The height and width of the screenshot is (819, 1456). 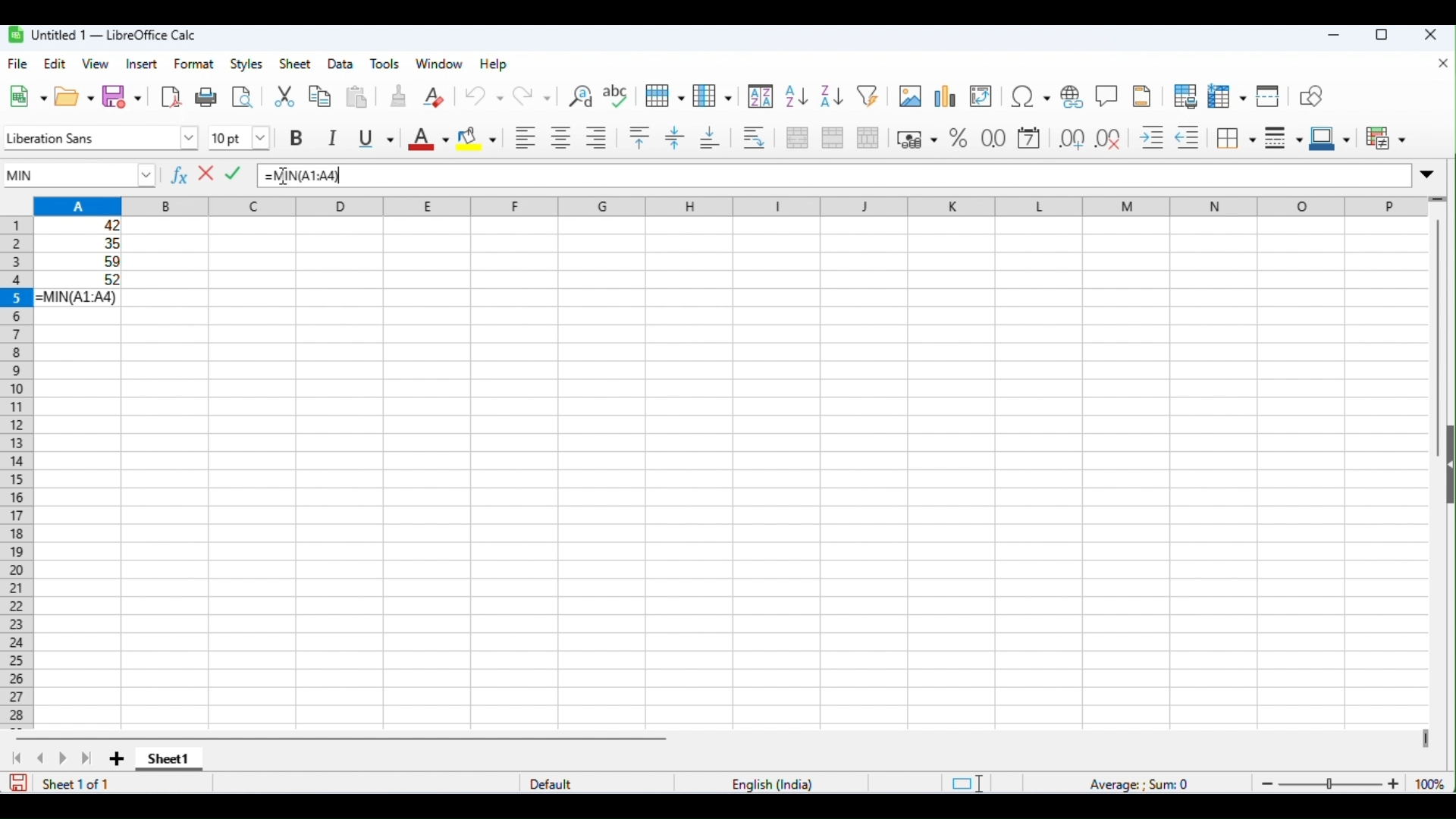 I want to click on file, so click(x=19, y=64).